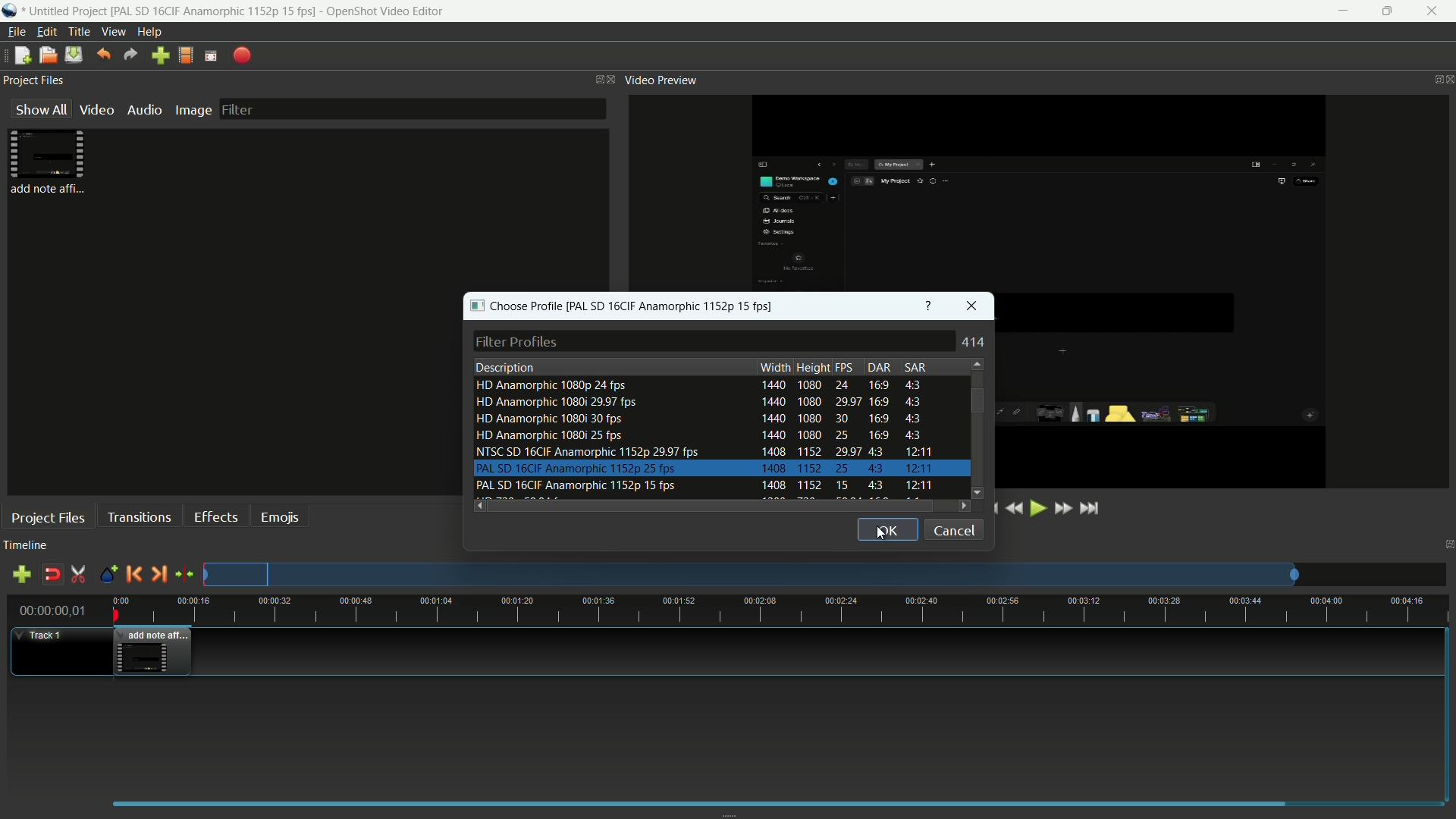 The width and height of the screenshot is (1456, 819). What do you see at coordinates (929, 306) in the screenshot?
I see `get help` at bounding box center [929, 306].